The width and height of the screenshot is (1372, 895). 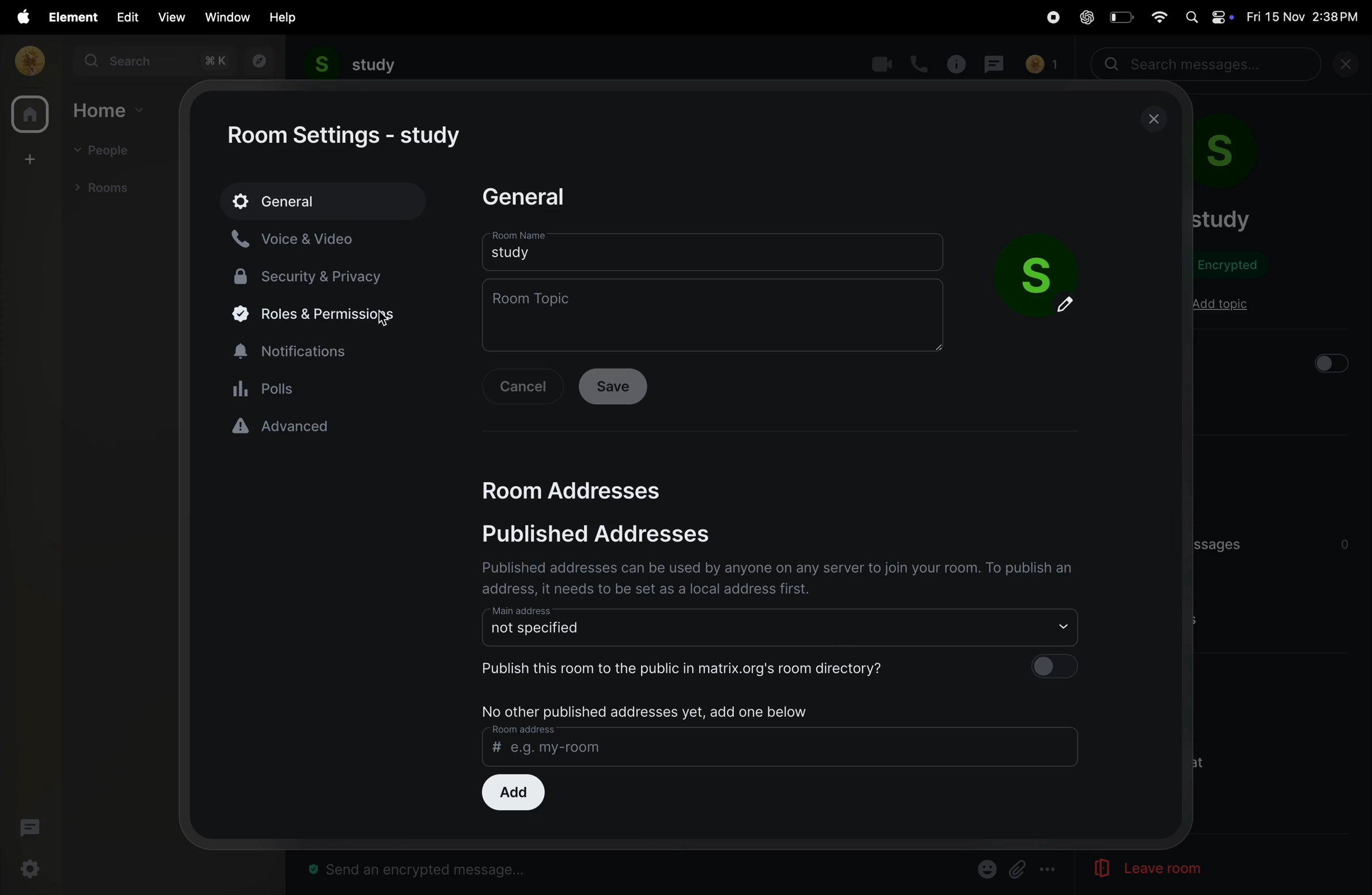 What do you see at coordinates (883, 63) in the screenshot?
I see `video call` at bounding box center [883, 63].